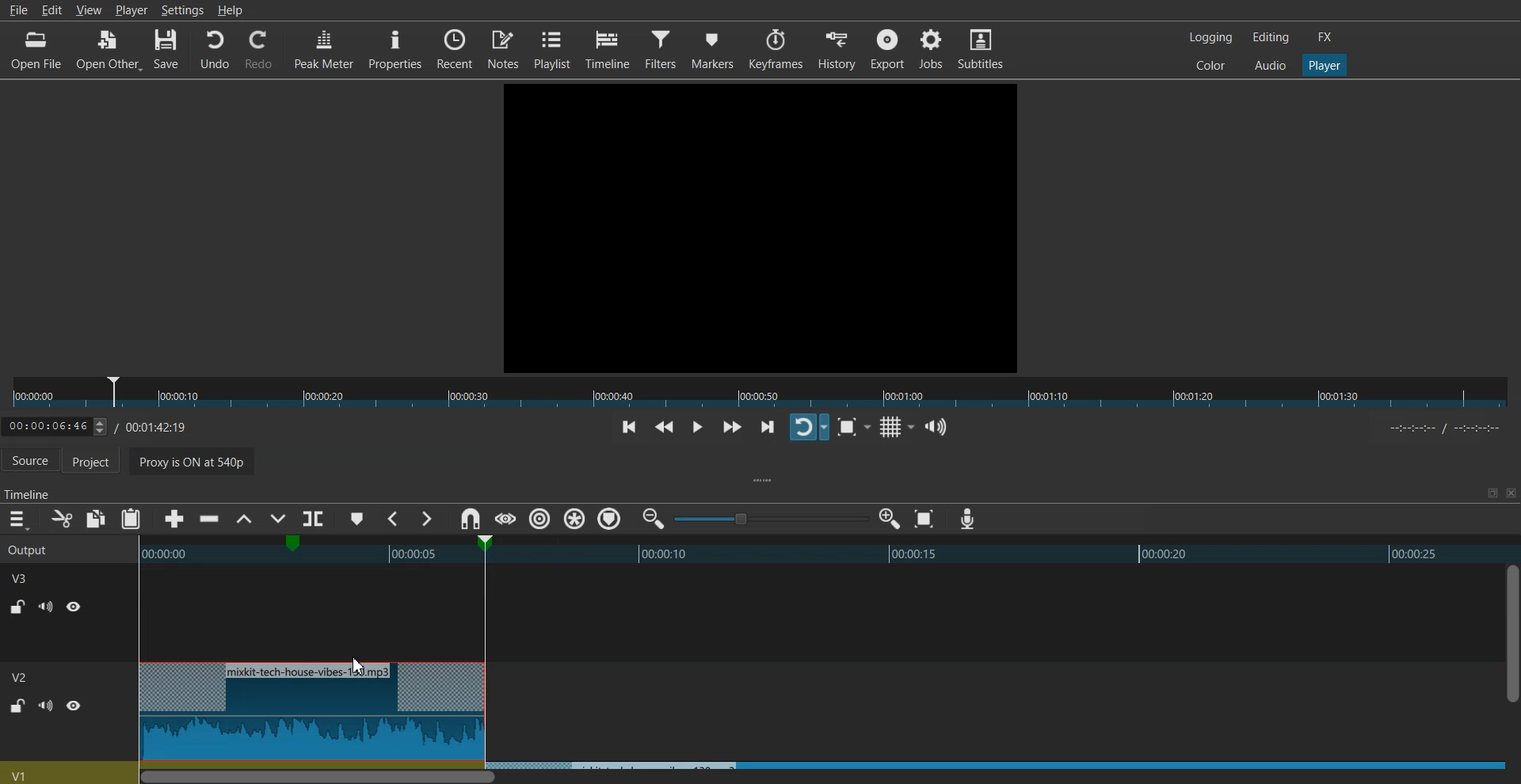 The width and height of the screenshot is (1521, 784). What do you see at coordinates (55, 10) in the screenshot?
I see `Edit` at bounding box center [55, 10].